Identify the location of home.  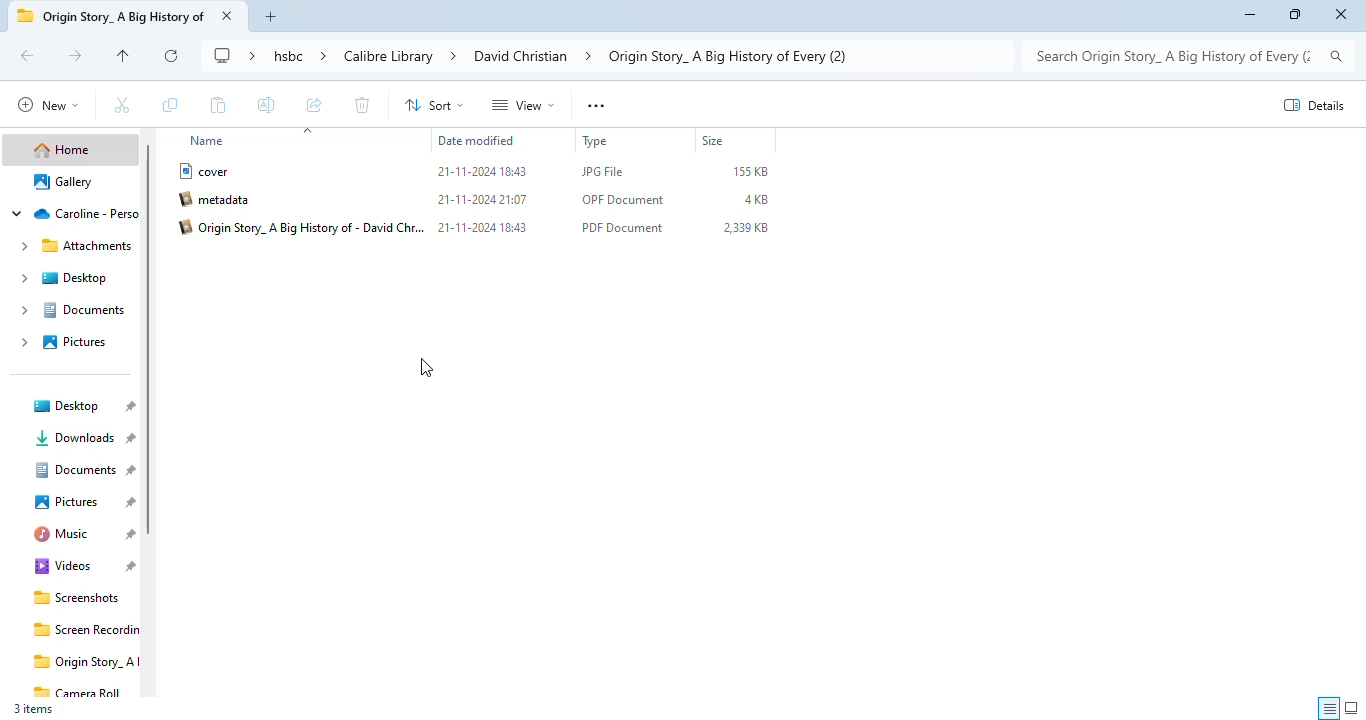
(64, 149).